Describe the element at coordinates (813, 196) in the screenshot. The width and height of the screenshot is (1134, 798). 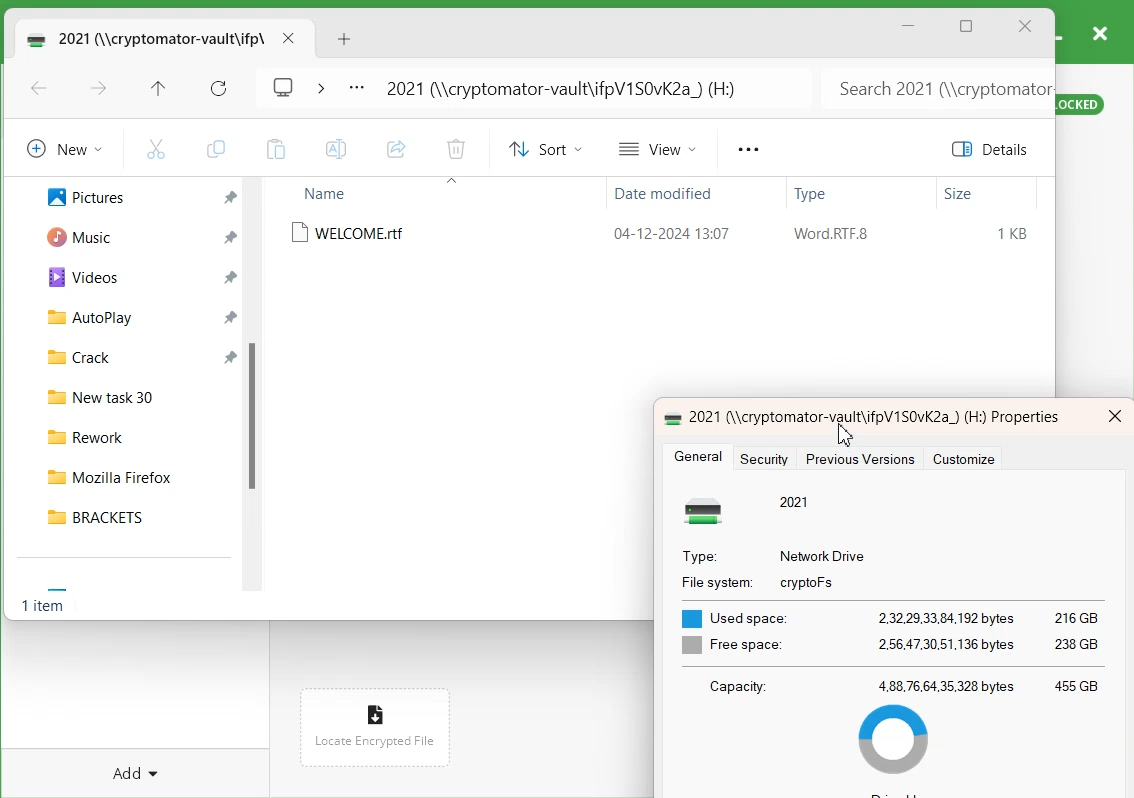
I see `Type` at that location.